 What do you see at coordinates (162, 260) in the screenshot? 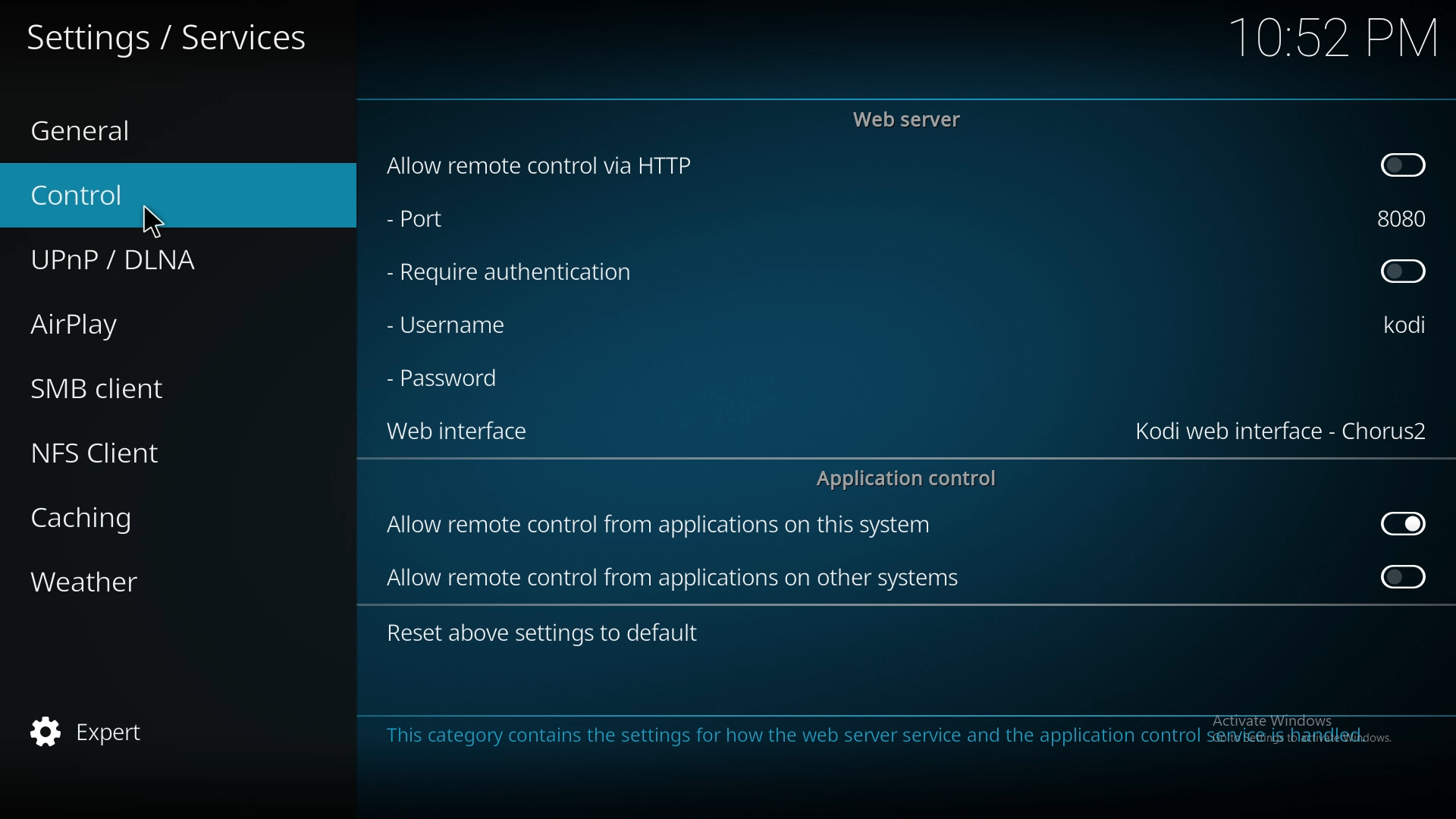
I see `upnp/dlna` at bounding box center [162, 260].